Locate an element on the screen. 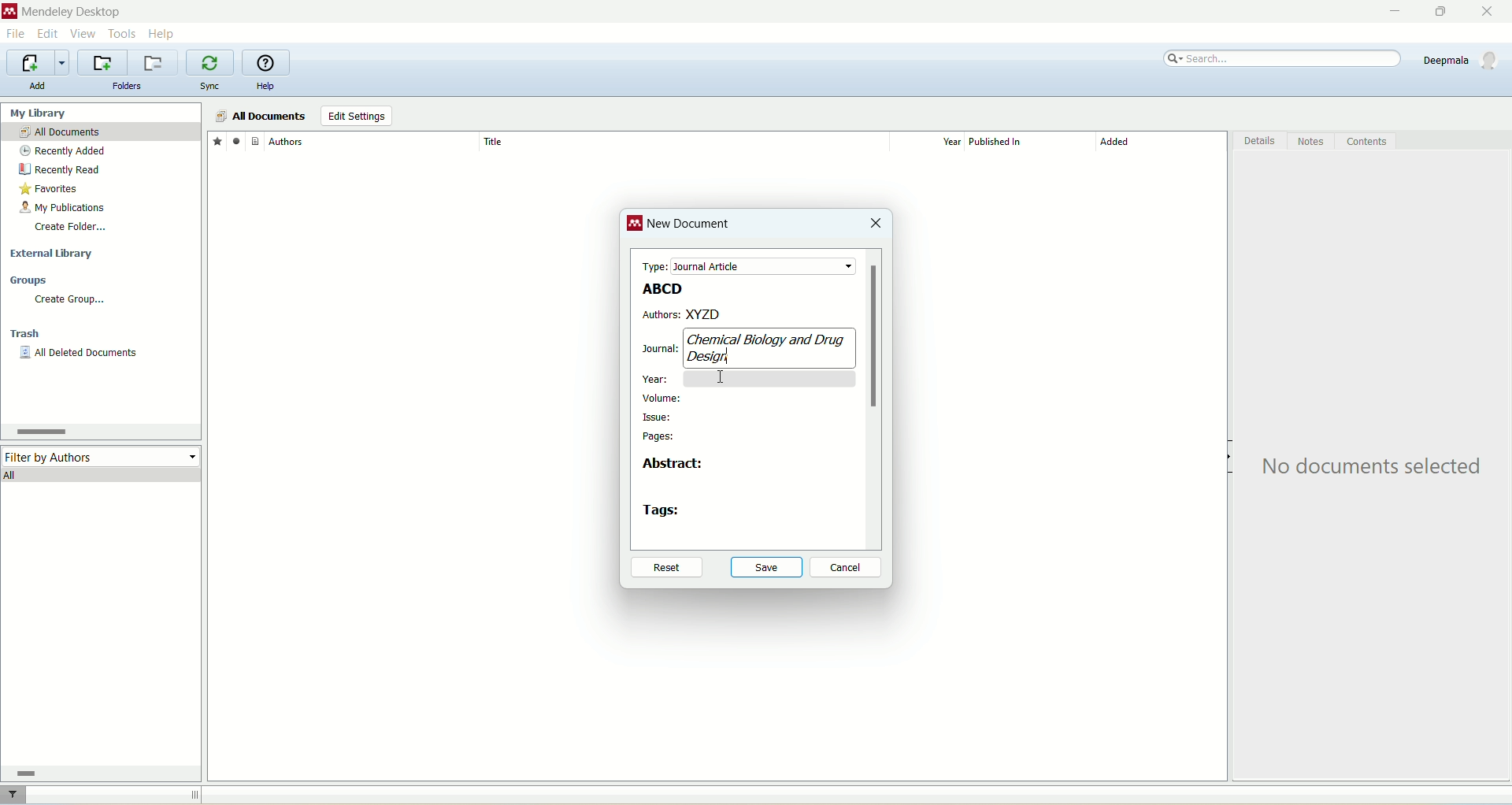  Desigr is located at coordinates (713, 354).